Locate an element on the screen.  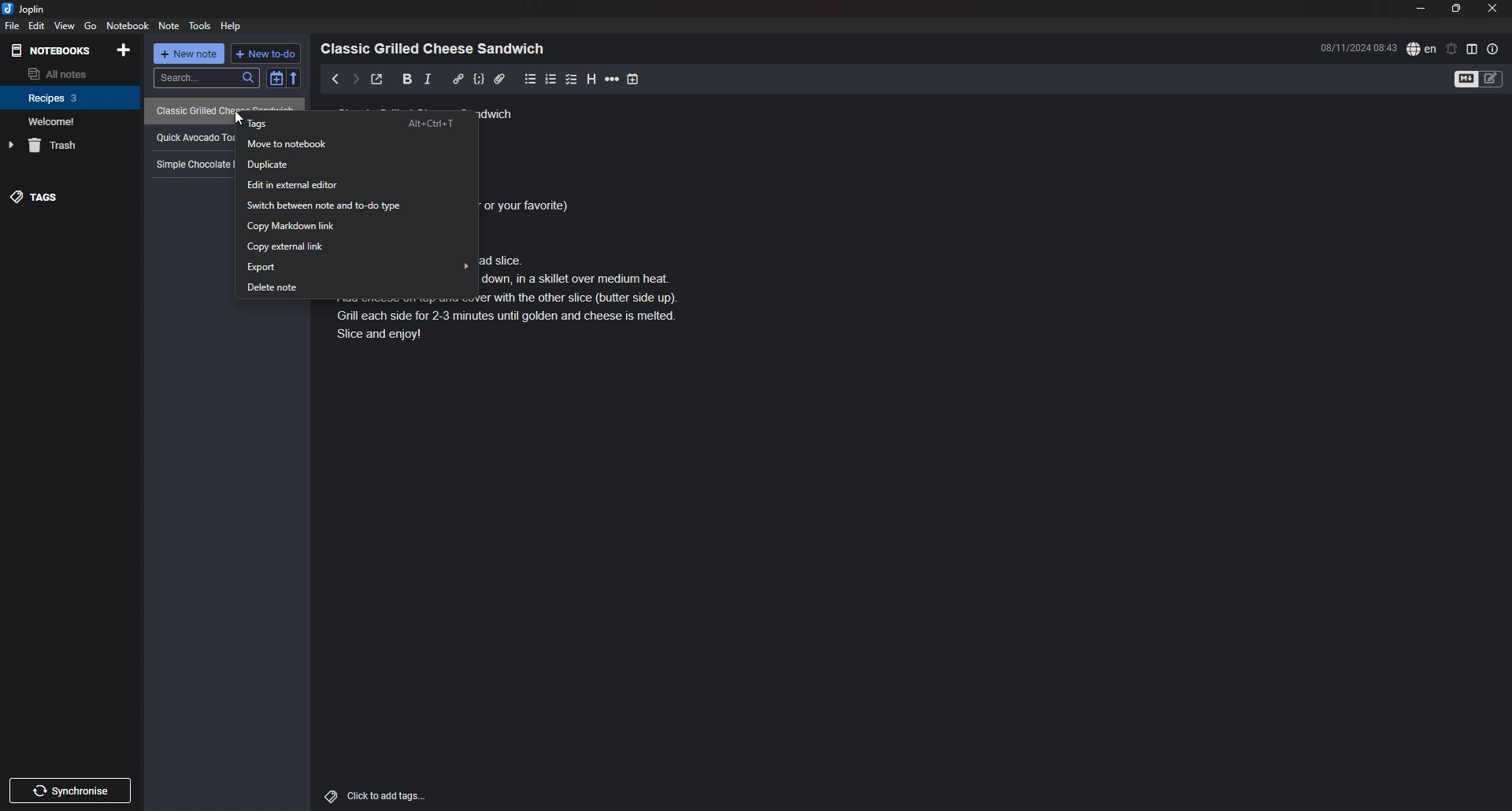
new todo is located at coordinates (267, 54).